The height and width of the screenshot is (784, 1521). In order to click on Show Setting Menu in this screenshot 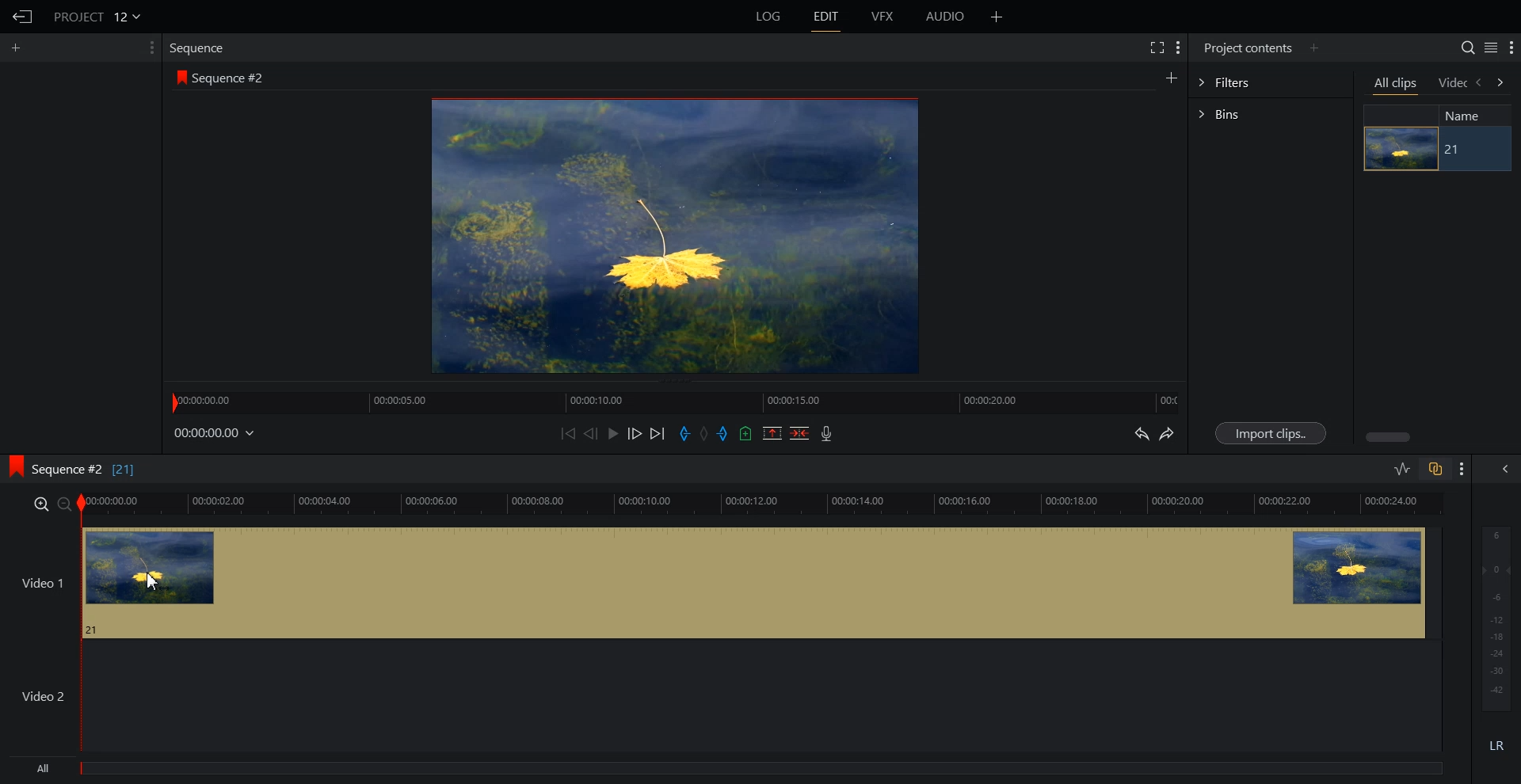, I will do `click(1511, 48)`.